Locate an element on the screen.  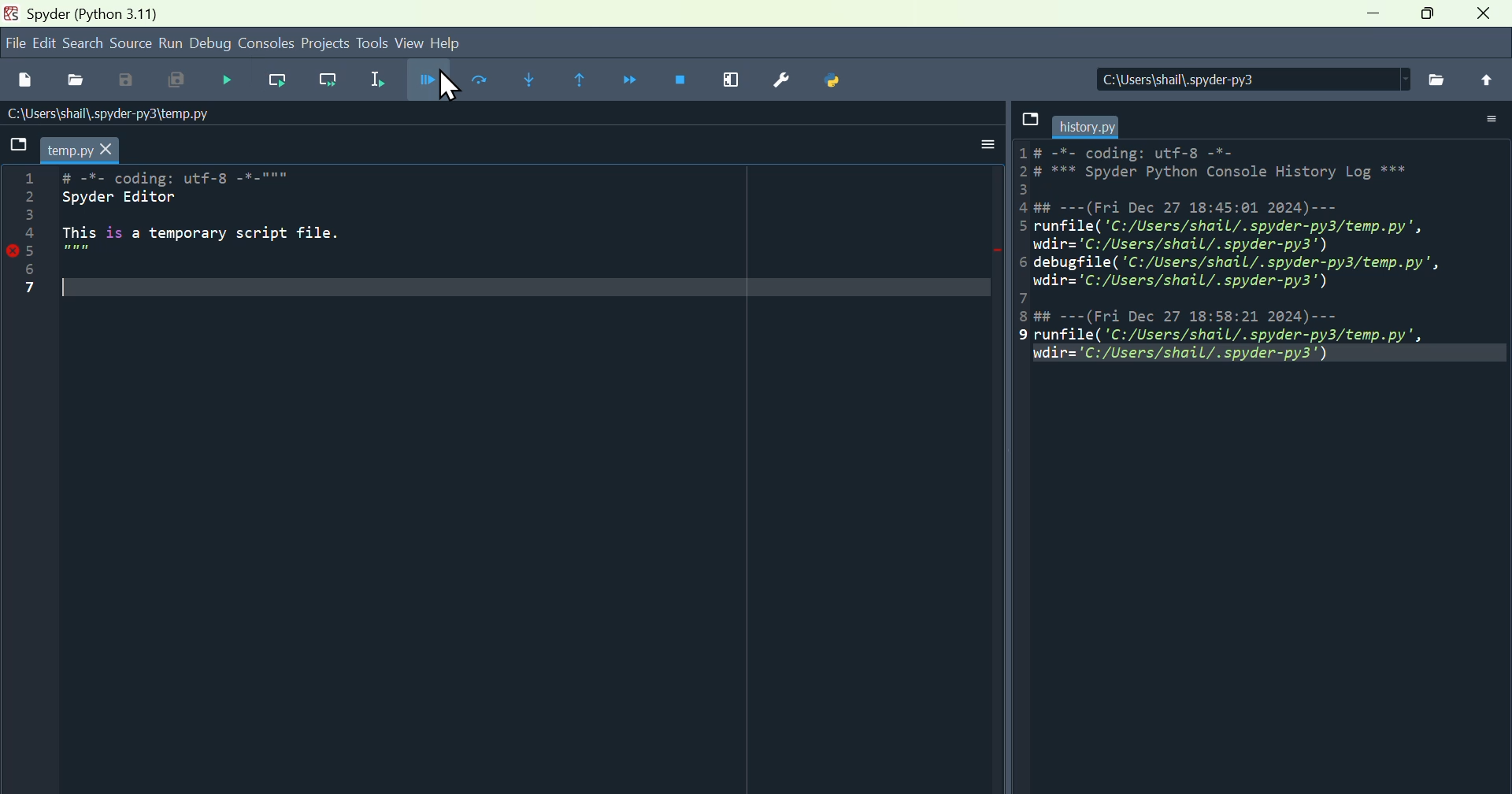
Run selection is located at coordinates (386, 80).